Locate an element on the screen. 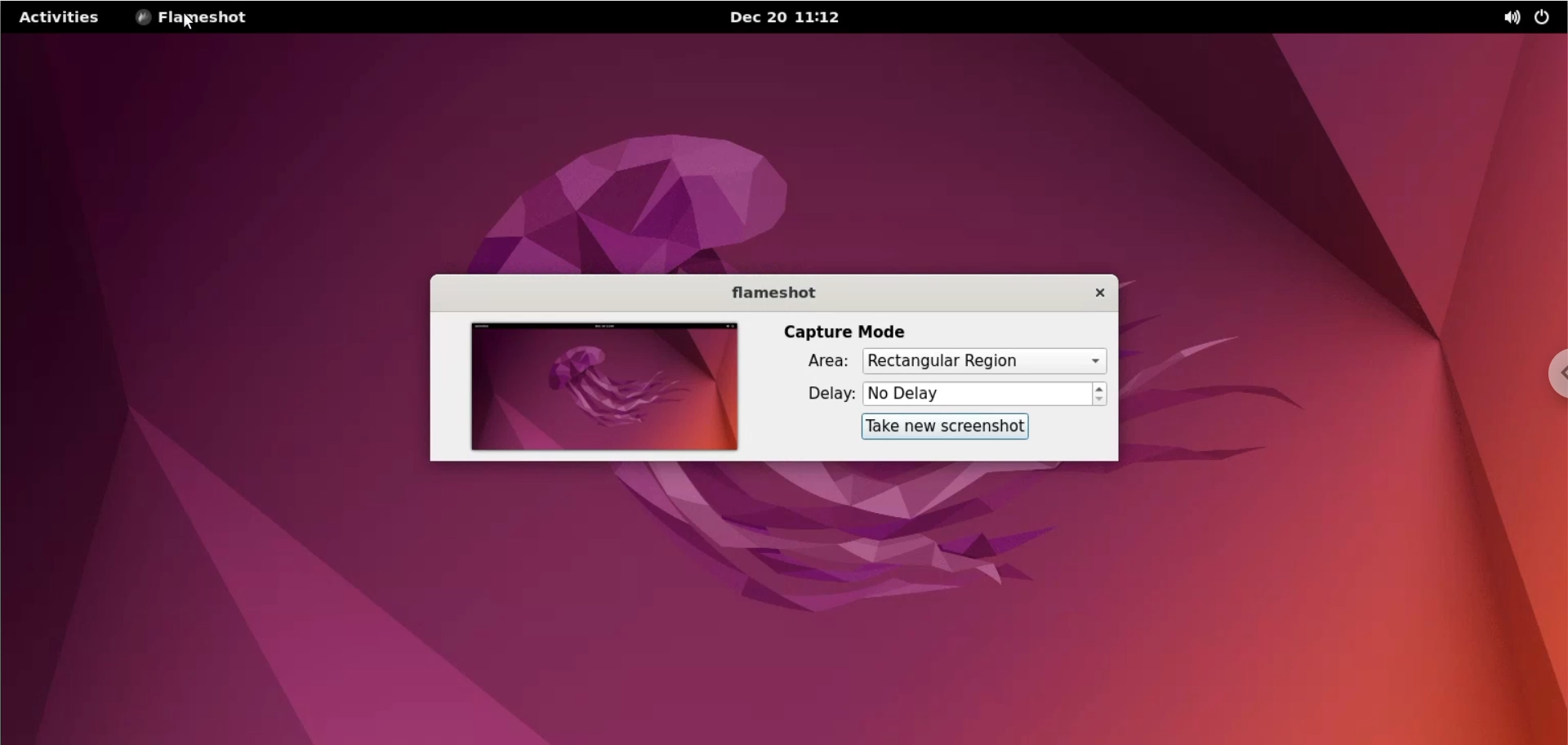 The height and width of the screenshot is (745, 1568). flameshot menu is located at coordinates (194, 18).